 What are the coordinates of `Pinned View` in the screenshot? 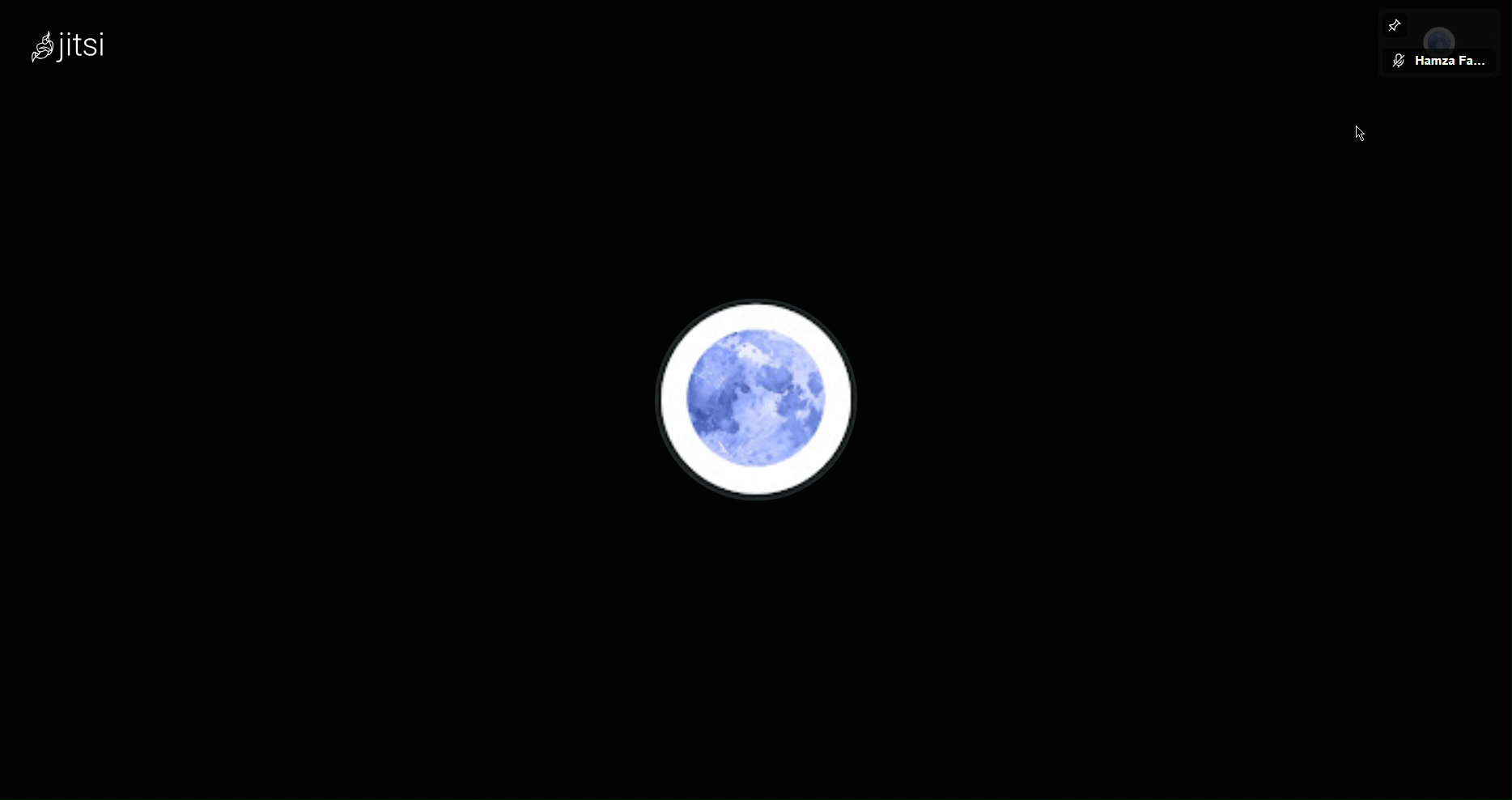 It's located at (1396, 23).